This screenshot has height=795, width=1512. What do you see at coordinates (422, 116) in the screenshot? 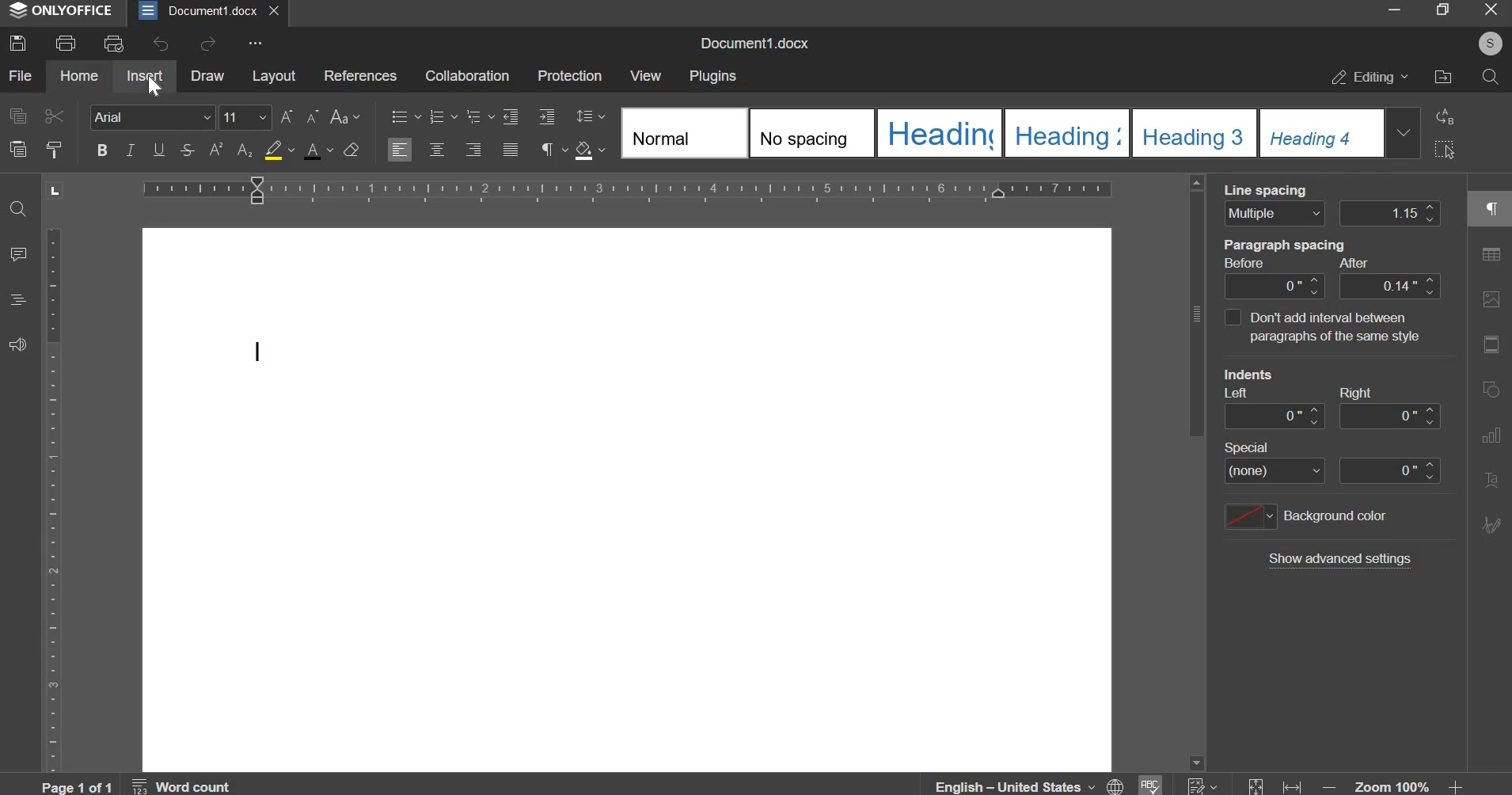
I see `numbering` at bounding box center [422, 116].